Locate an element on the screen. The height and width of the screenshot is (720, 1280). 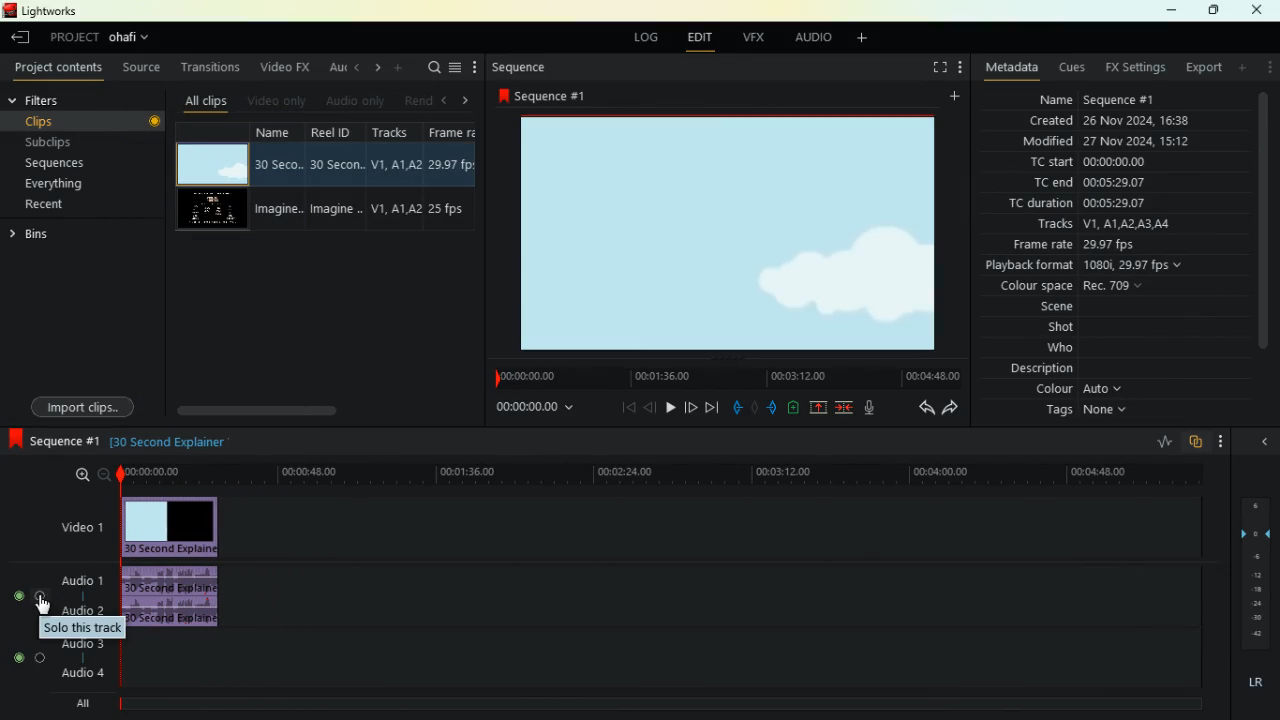
add is located at coordinates (1242, 68).